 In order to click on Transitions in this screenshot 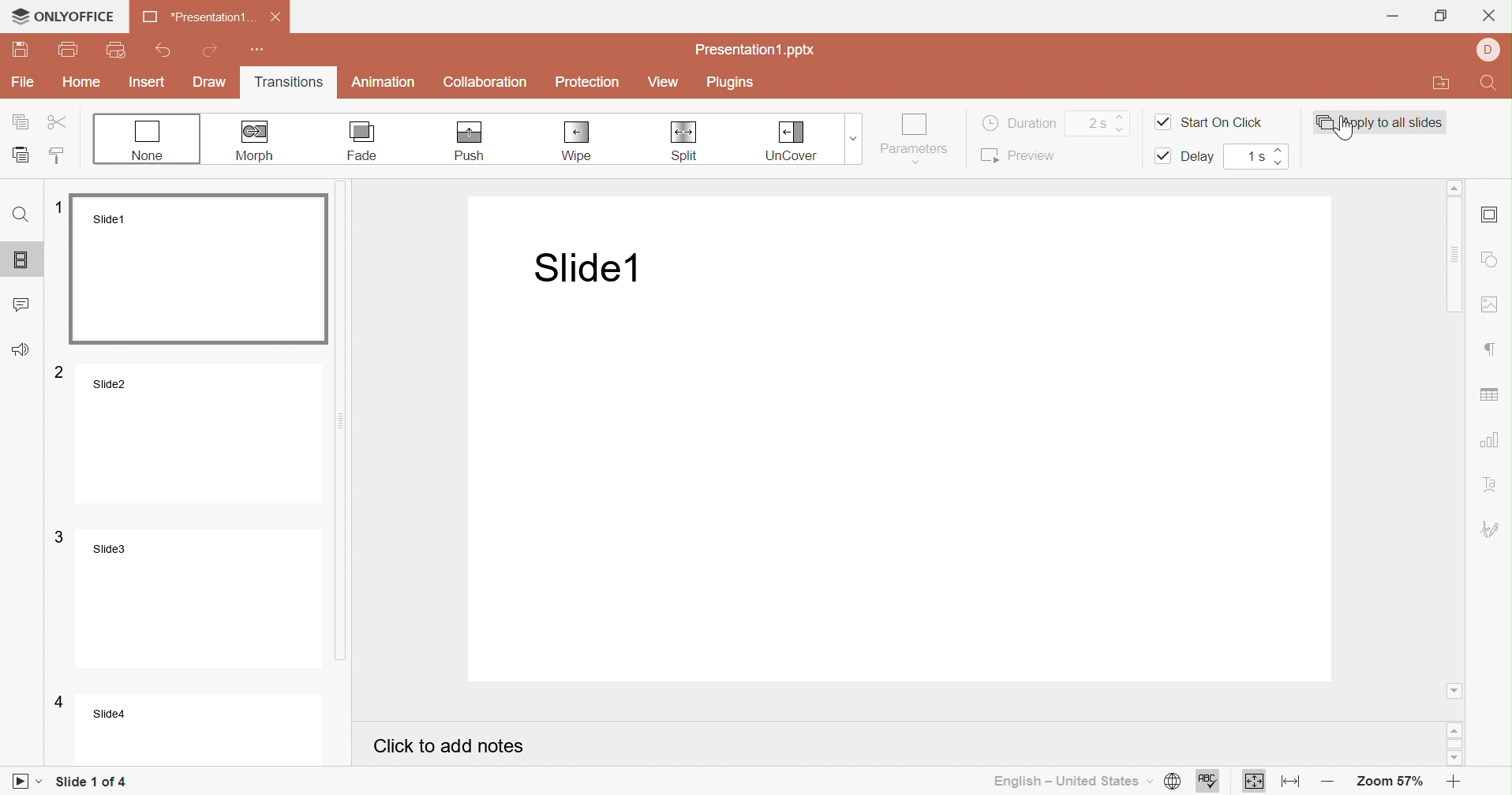, I will do `click(294, 84)`.